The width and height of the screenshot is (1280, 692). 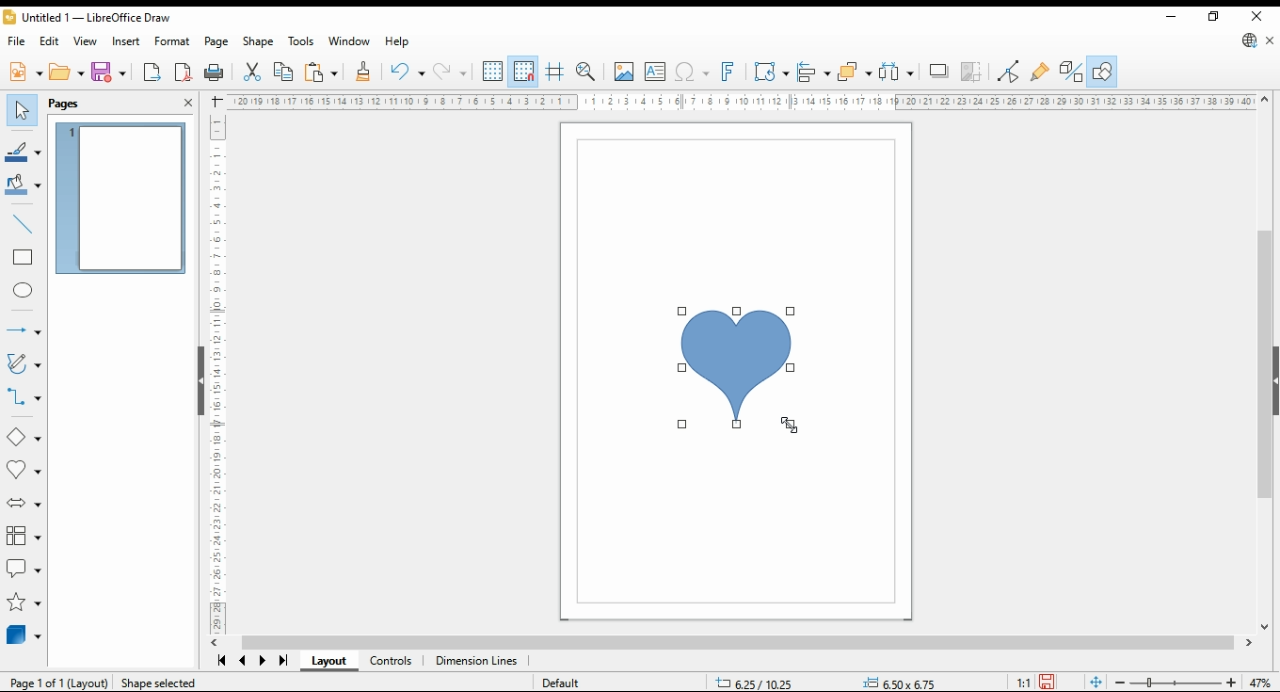 What do you see at coordinates (1256, 16) in the screenshot?
I see `close window` at bounding box center [1256, 16].